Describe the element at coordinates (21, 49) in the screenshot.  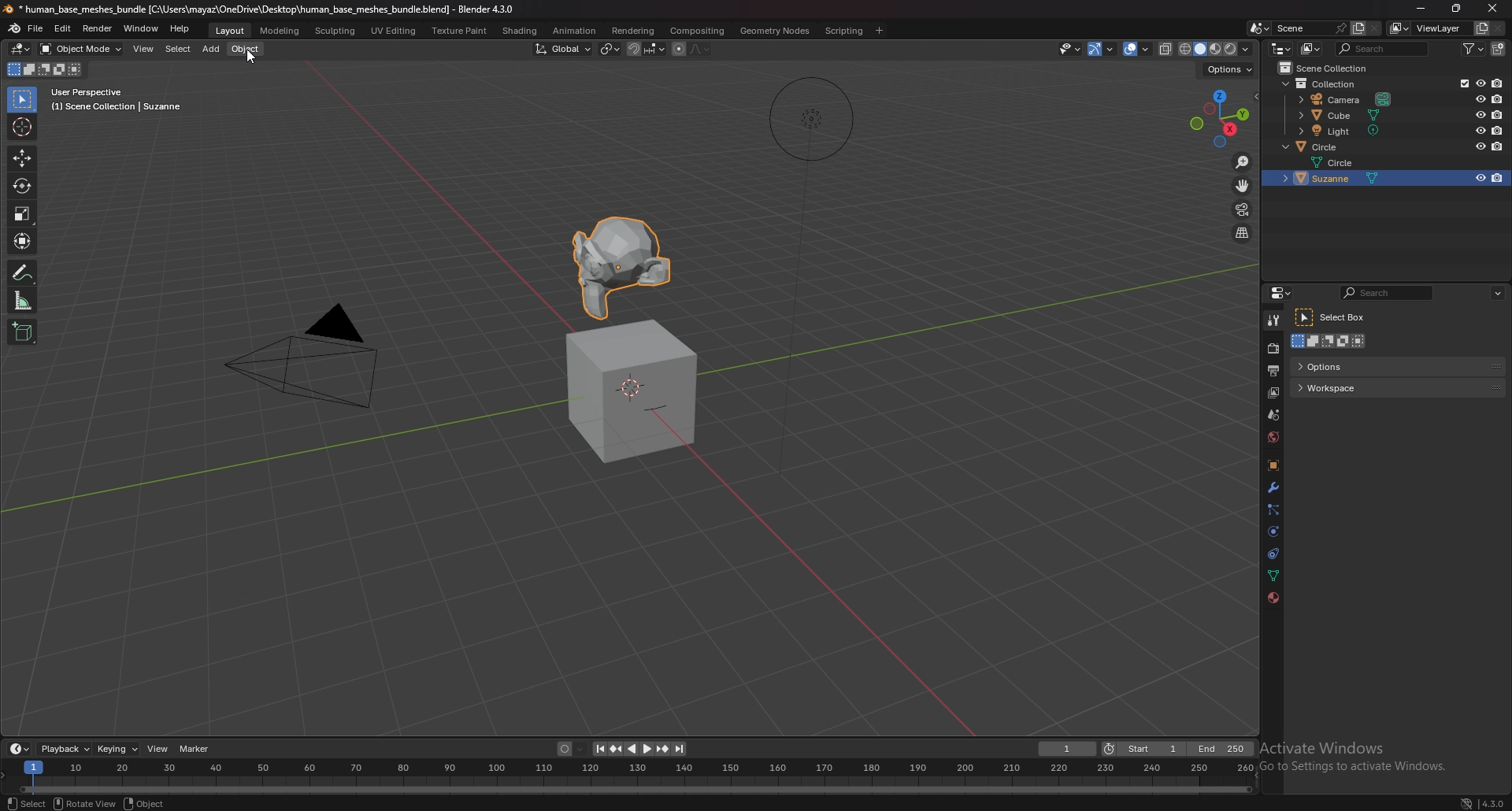
I see `editor type` at that location.